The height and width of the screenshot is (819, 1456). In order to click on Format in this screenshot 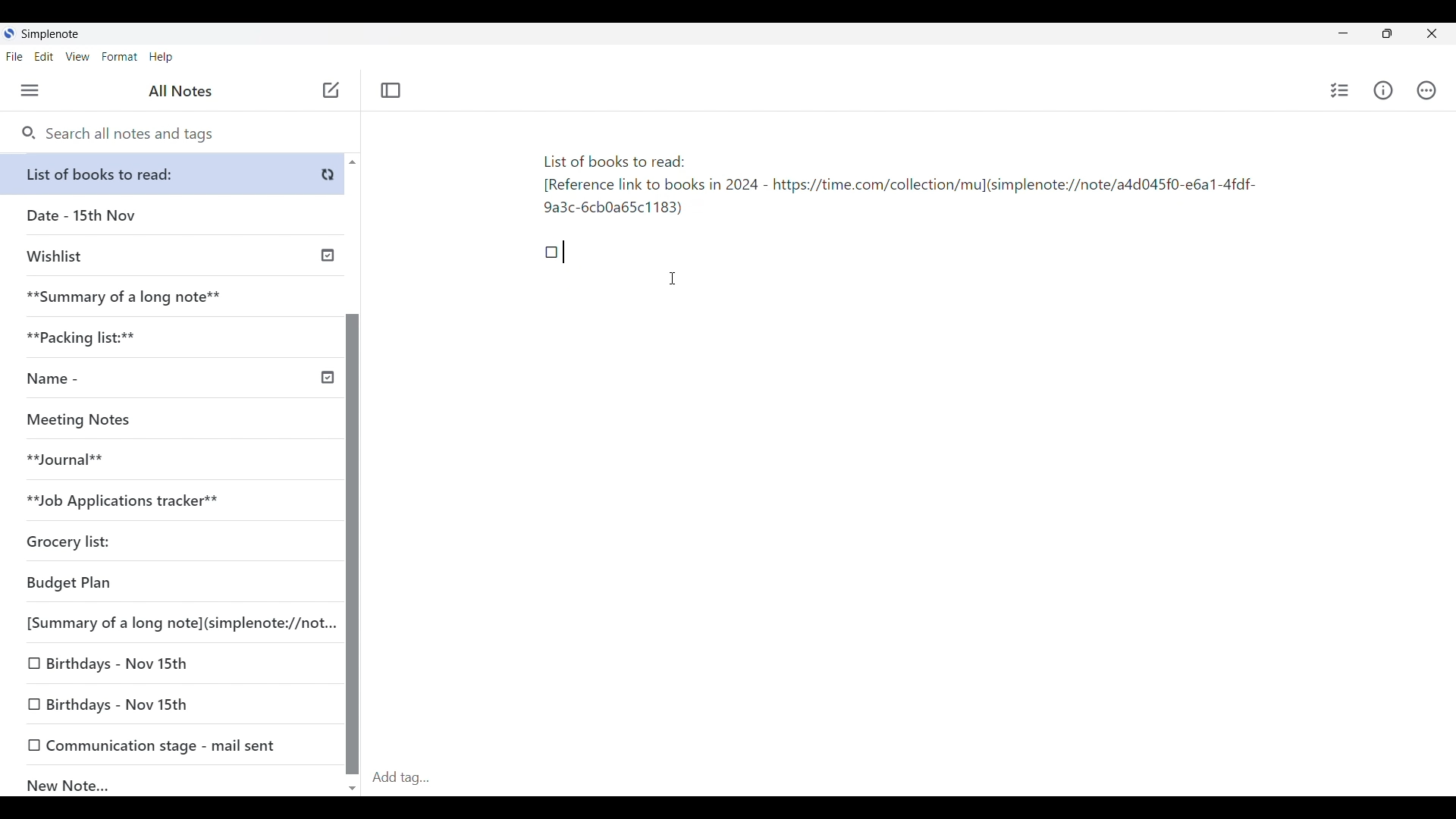, I will do `click(120, 57)`.